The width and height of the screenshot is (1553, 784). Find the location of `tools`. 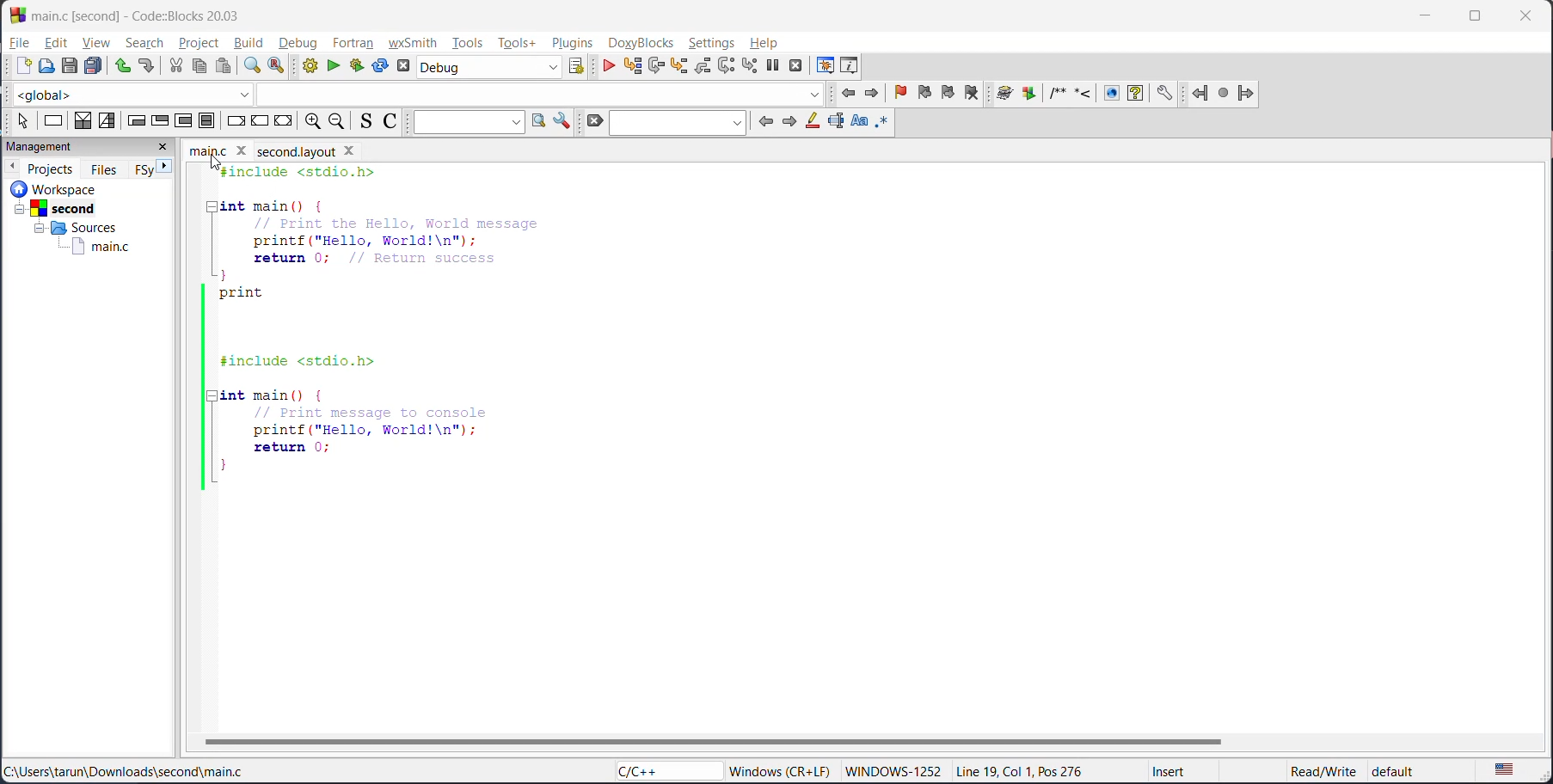

tools is located at coordinates (468, 43).